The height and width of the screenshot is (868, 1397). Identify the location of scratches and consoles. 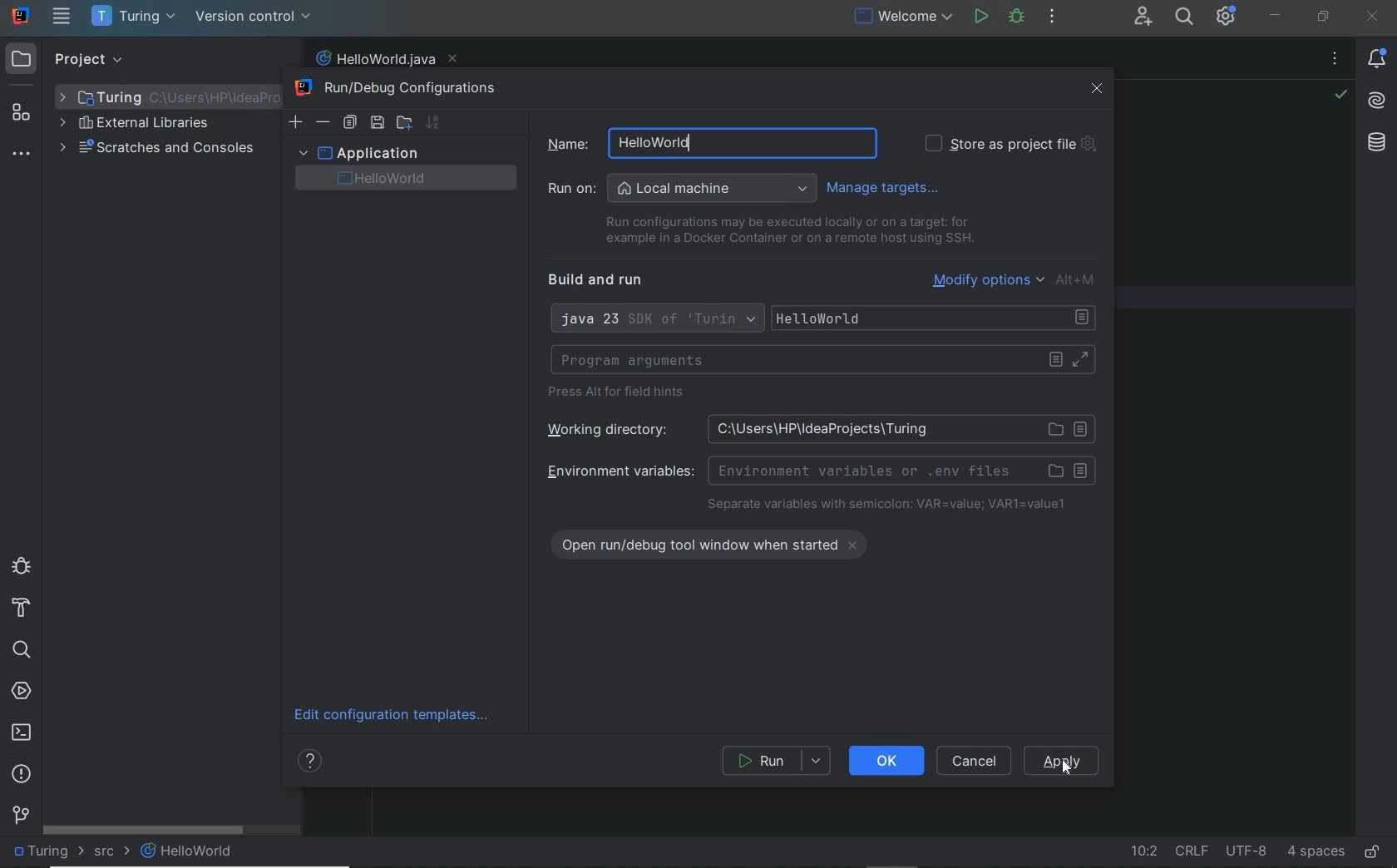
(157, 150).